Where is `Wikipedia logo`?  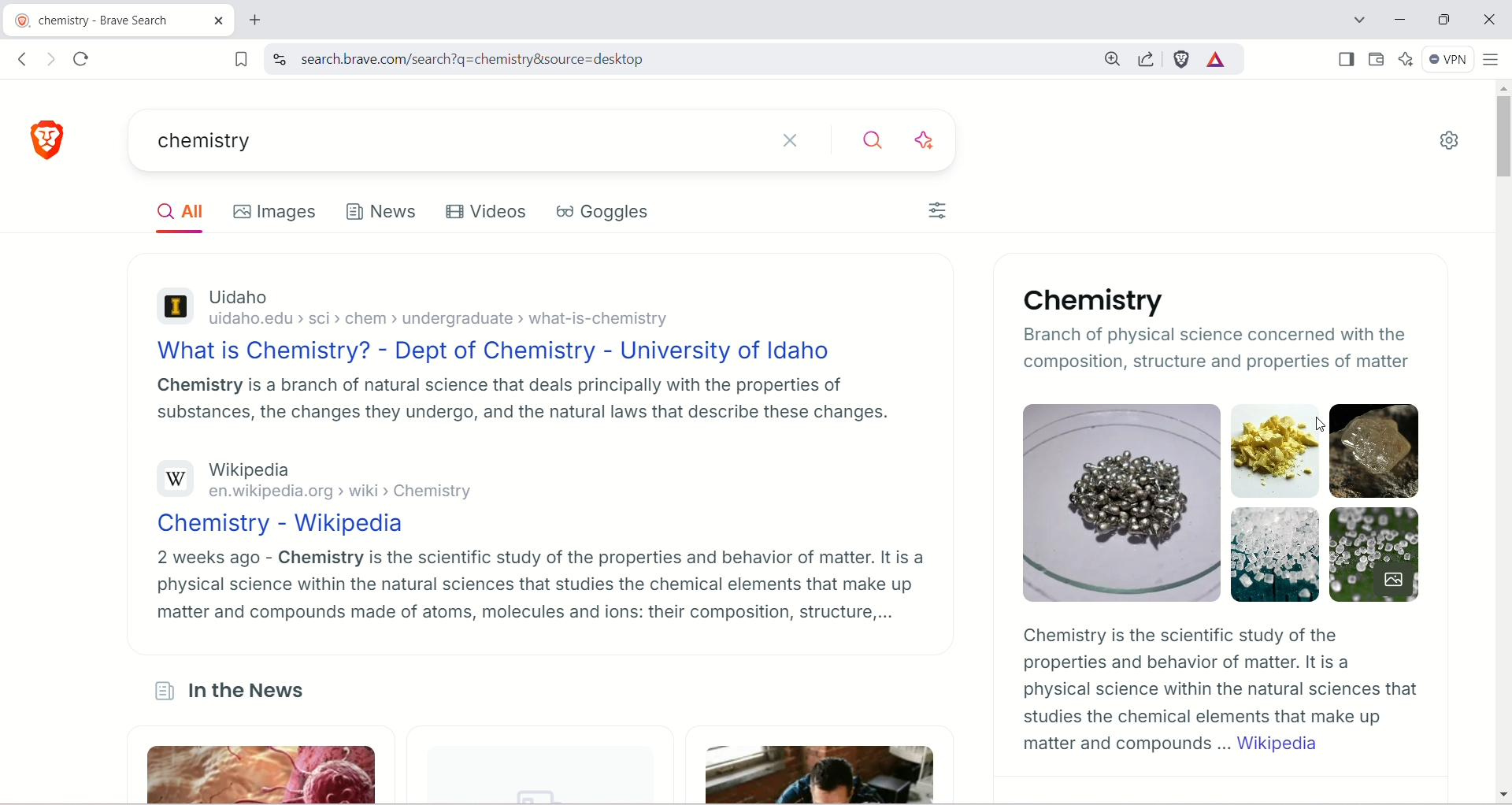
Wikipedia logo is located at coordinates (172, 478).